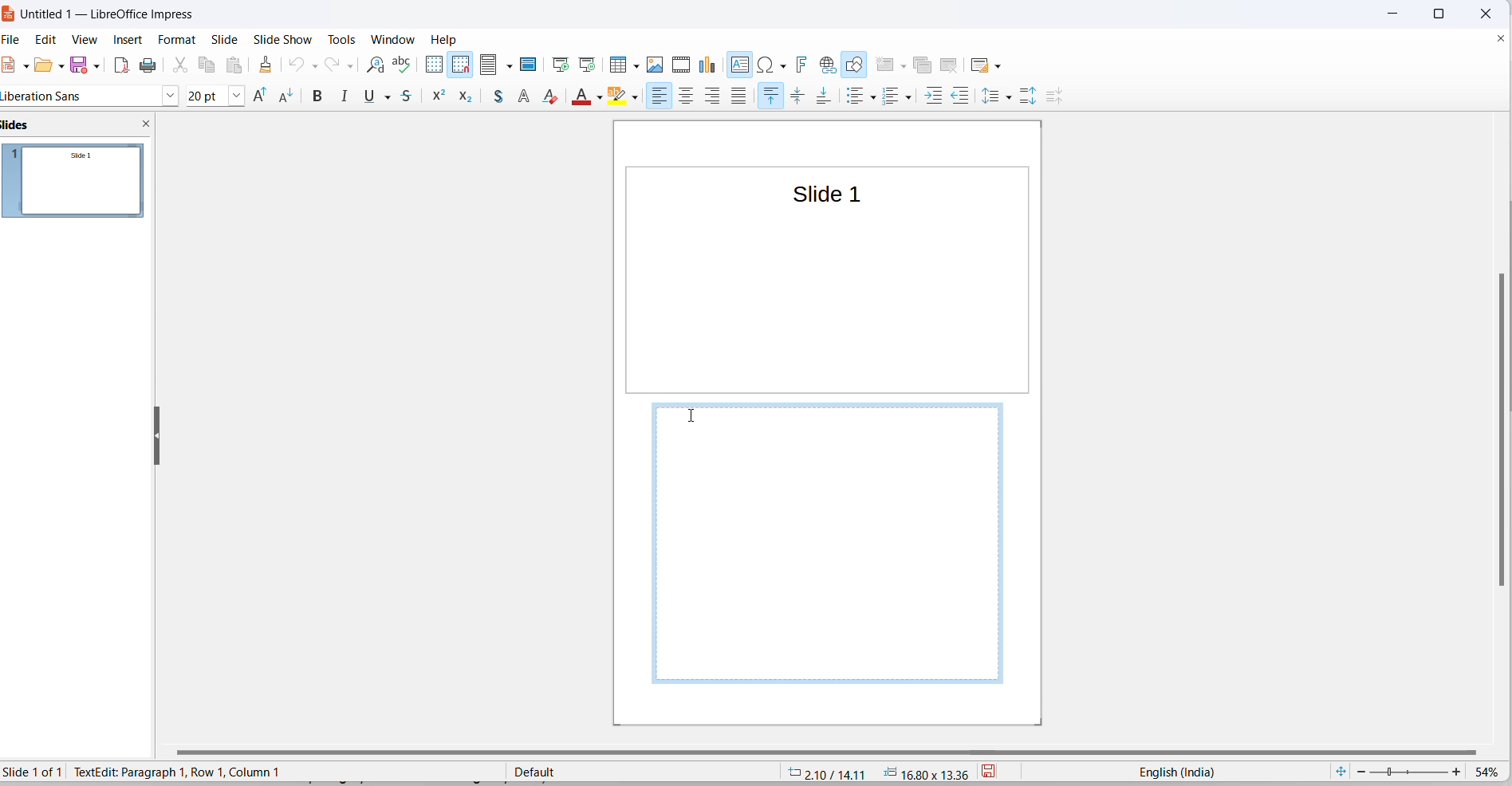 The image size is (1512, 786). I want to click on text language, so click(1177, 772).